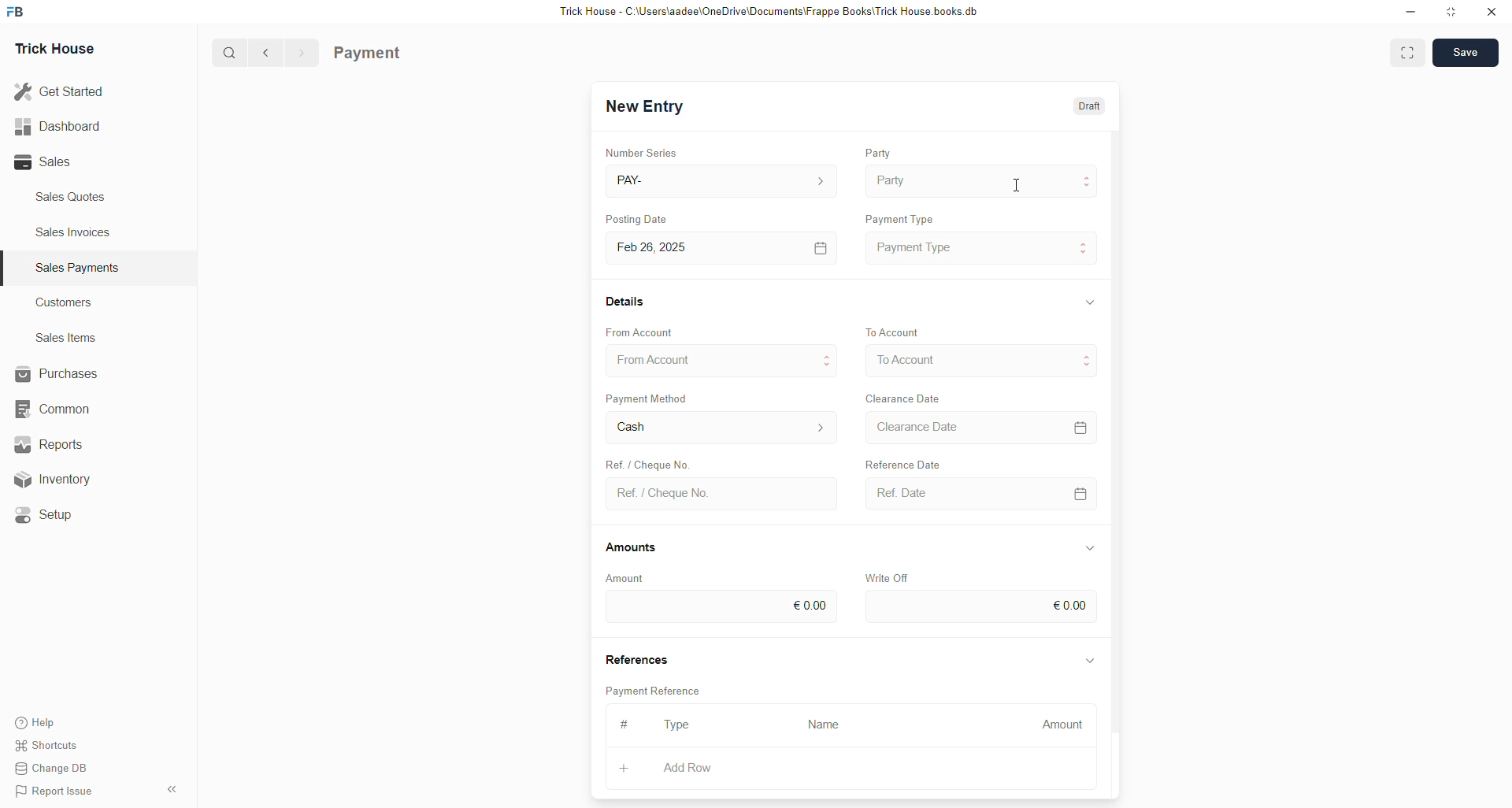 This screenshot has height=808, width=1512. I want to click on Toggle between form and full width, so click(1407, 55).